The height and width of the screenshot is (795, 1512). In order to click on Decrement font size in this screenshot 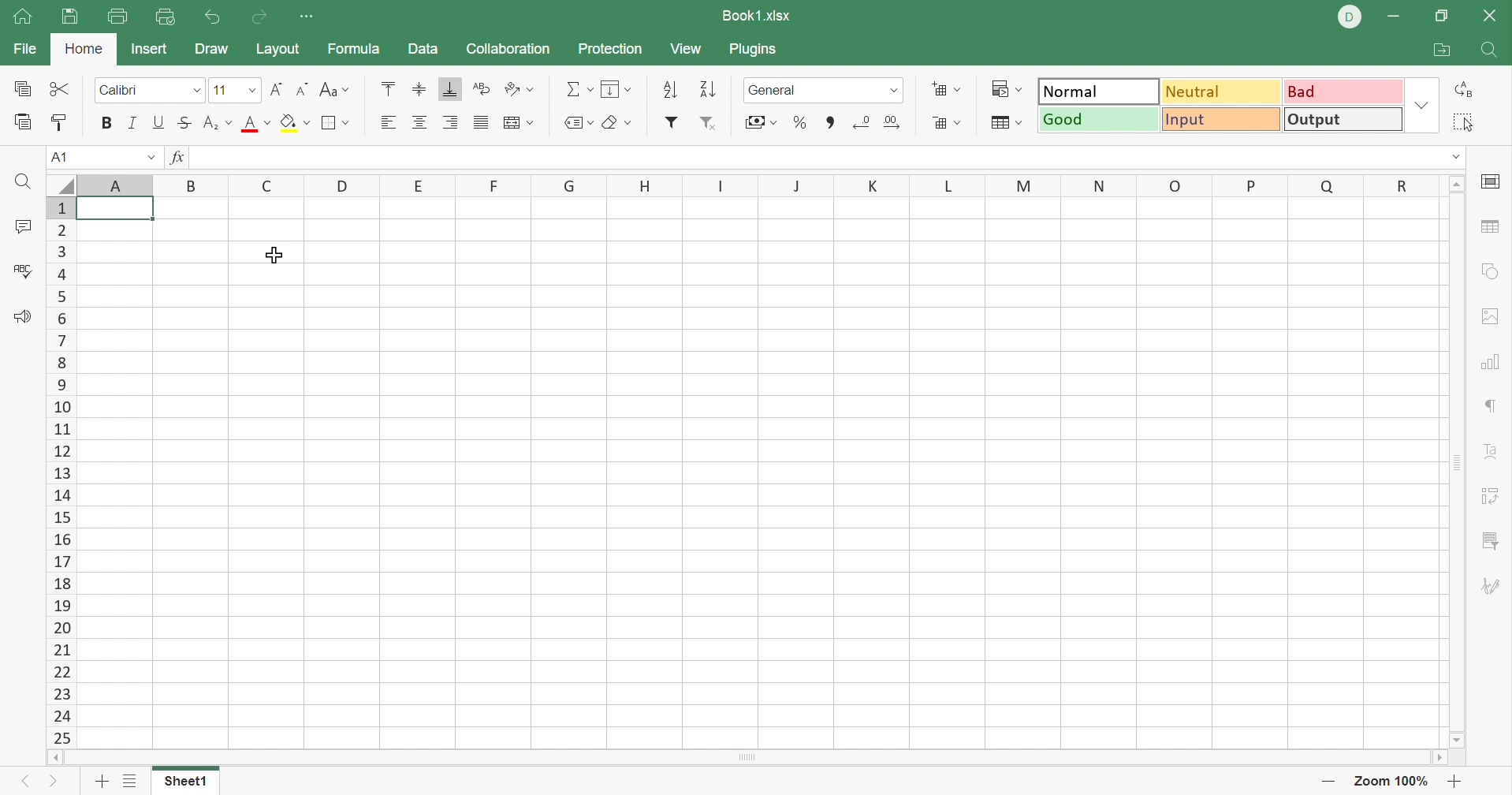, I will do `click(299, 88)`.